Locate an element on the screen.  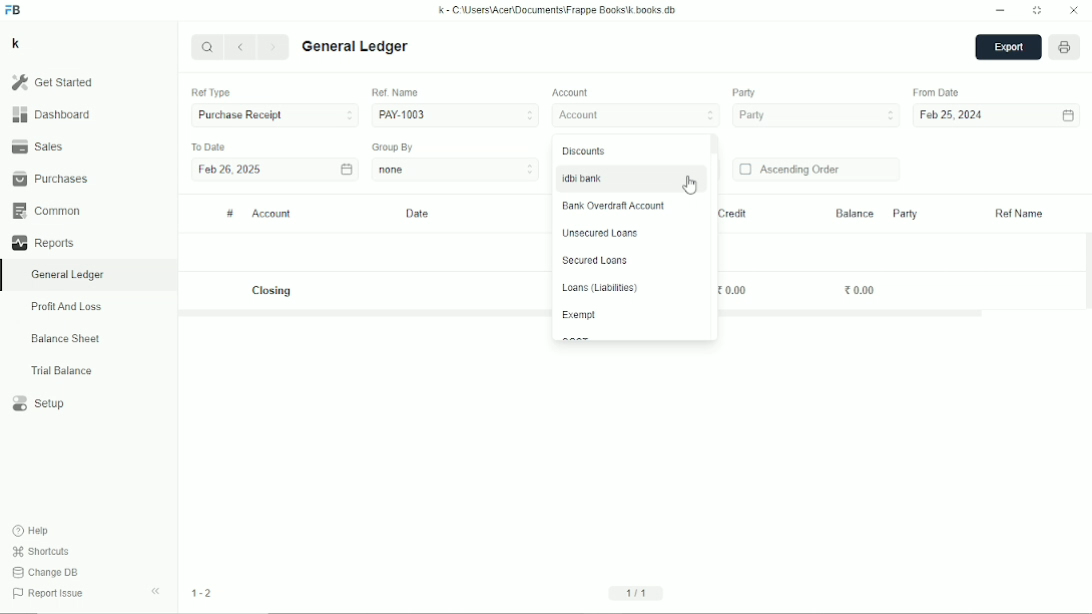
Party is located at coordinates (904, 213).